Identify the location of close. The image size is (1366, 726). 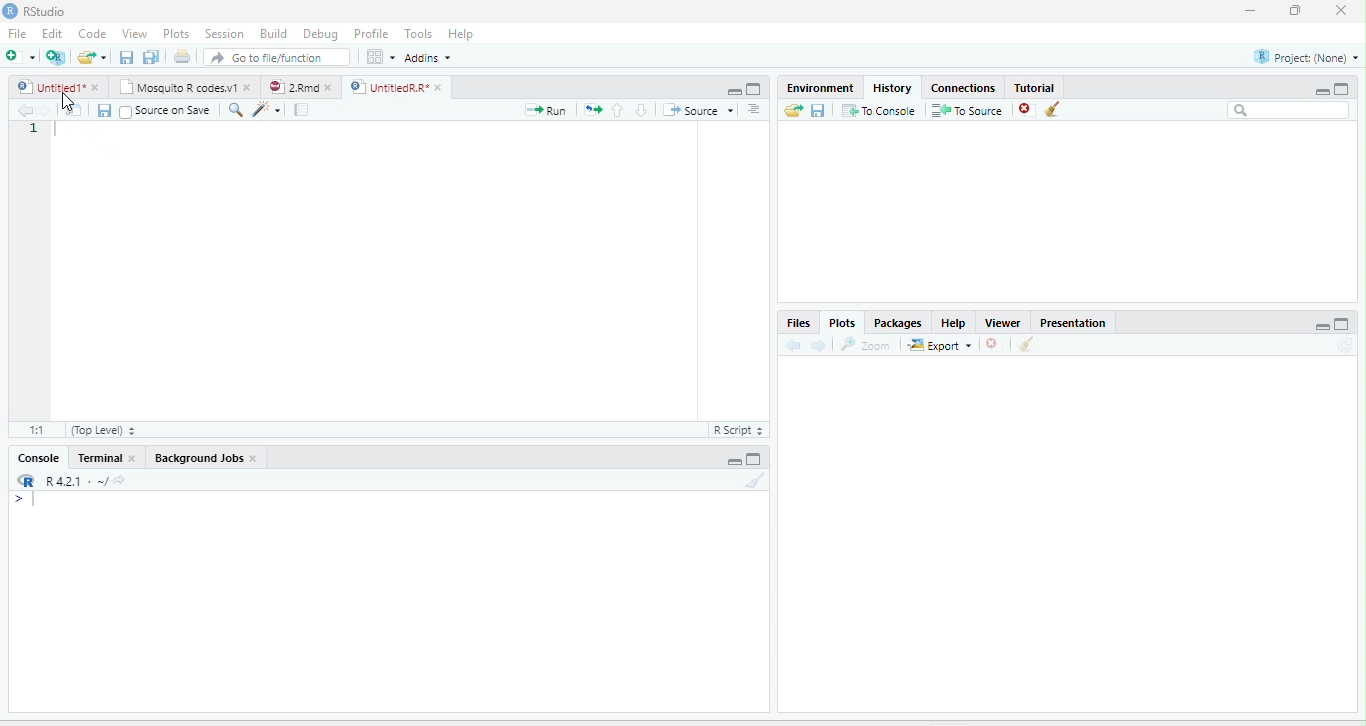
(248, 87).